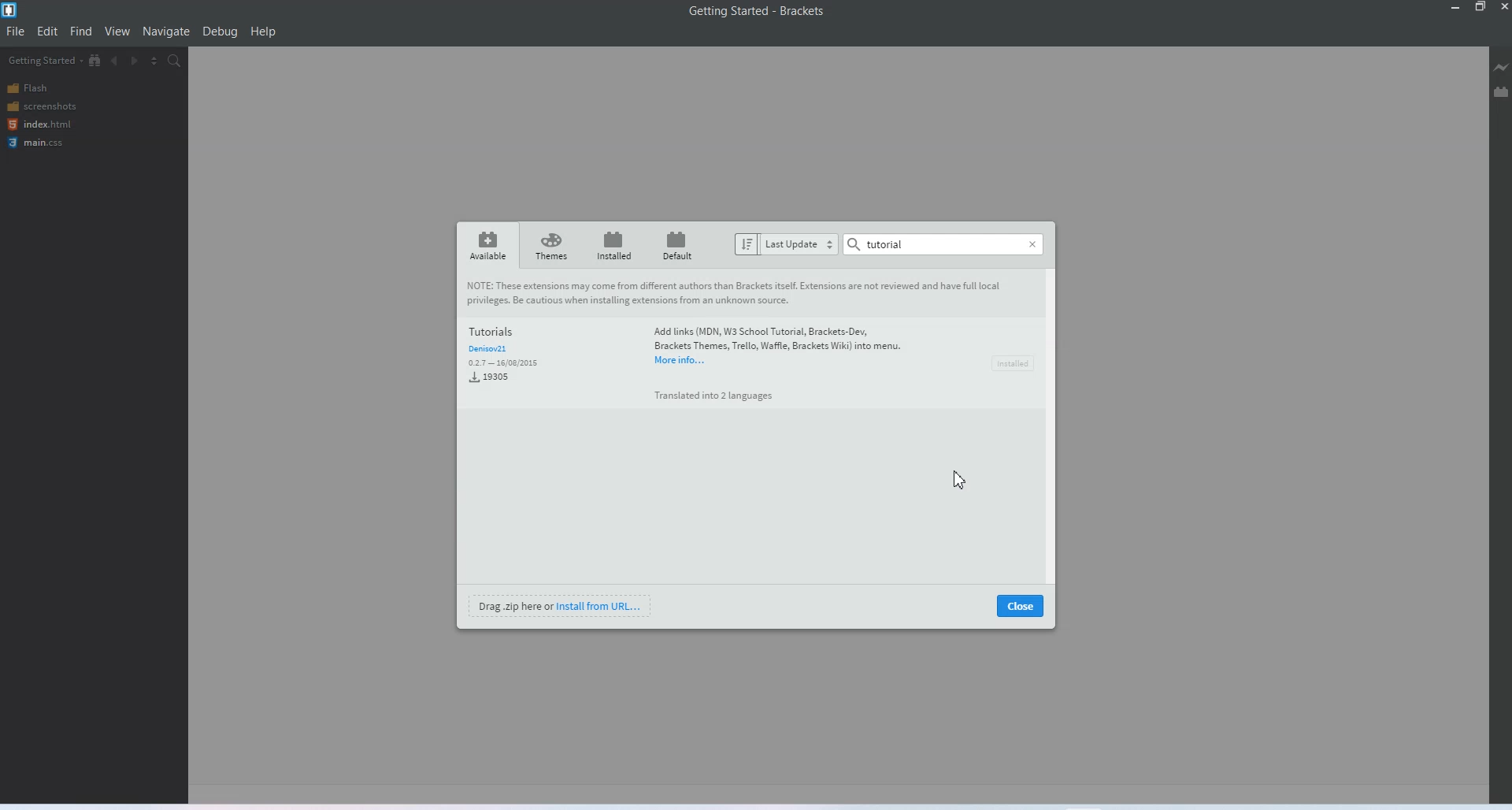  What do you see at coordinates (39, 124) in the screenshot?
I see `index.html` at bounding box center [39, 124].